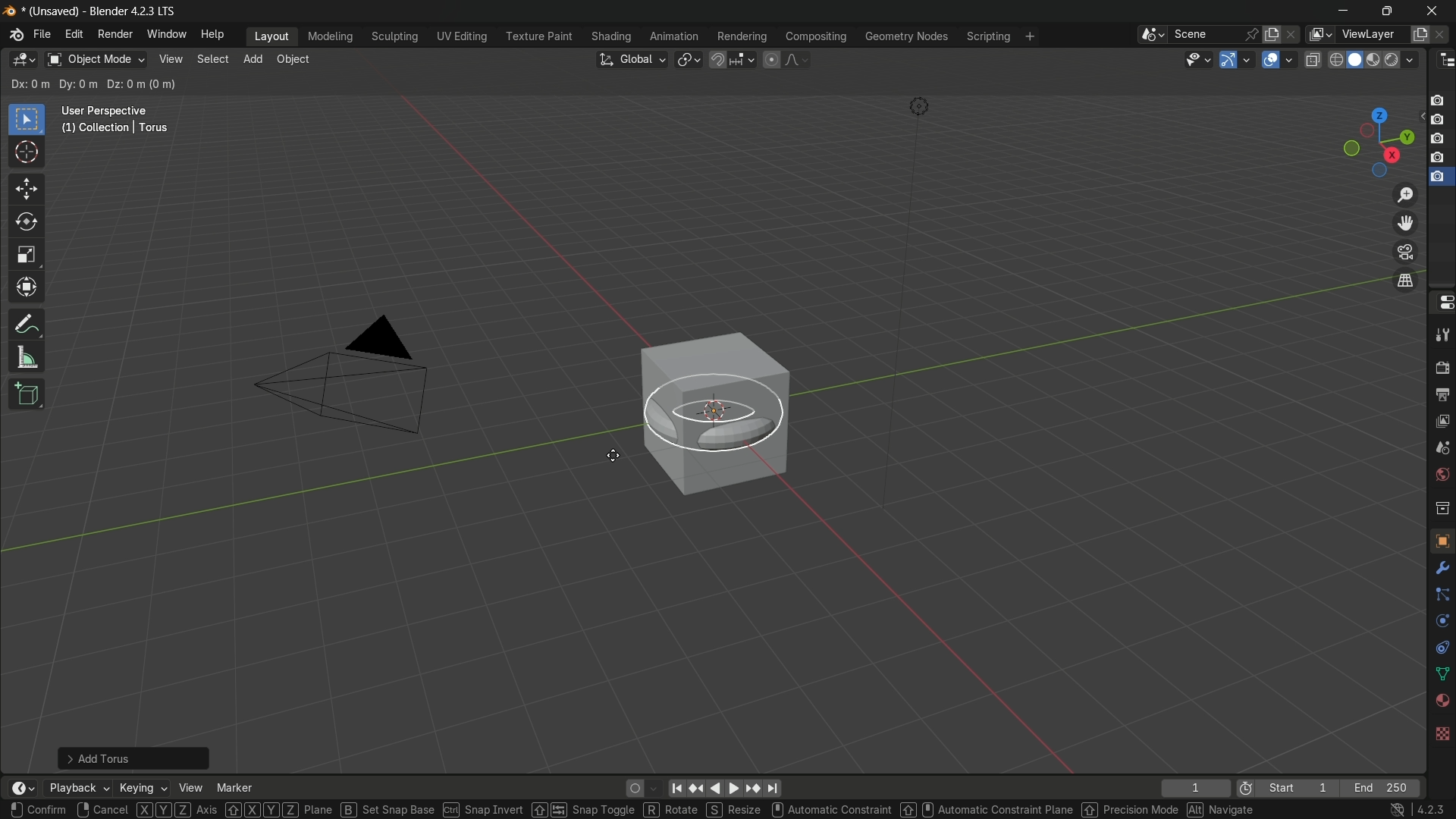  Describe the element at coordinates (538, 36) in the screenshot. I see `texture paint` at that location.